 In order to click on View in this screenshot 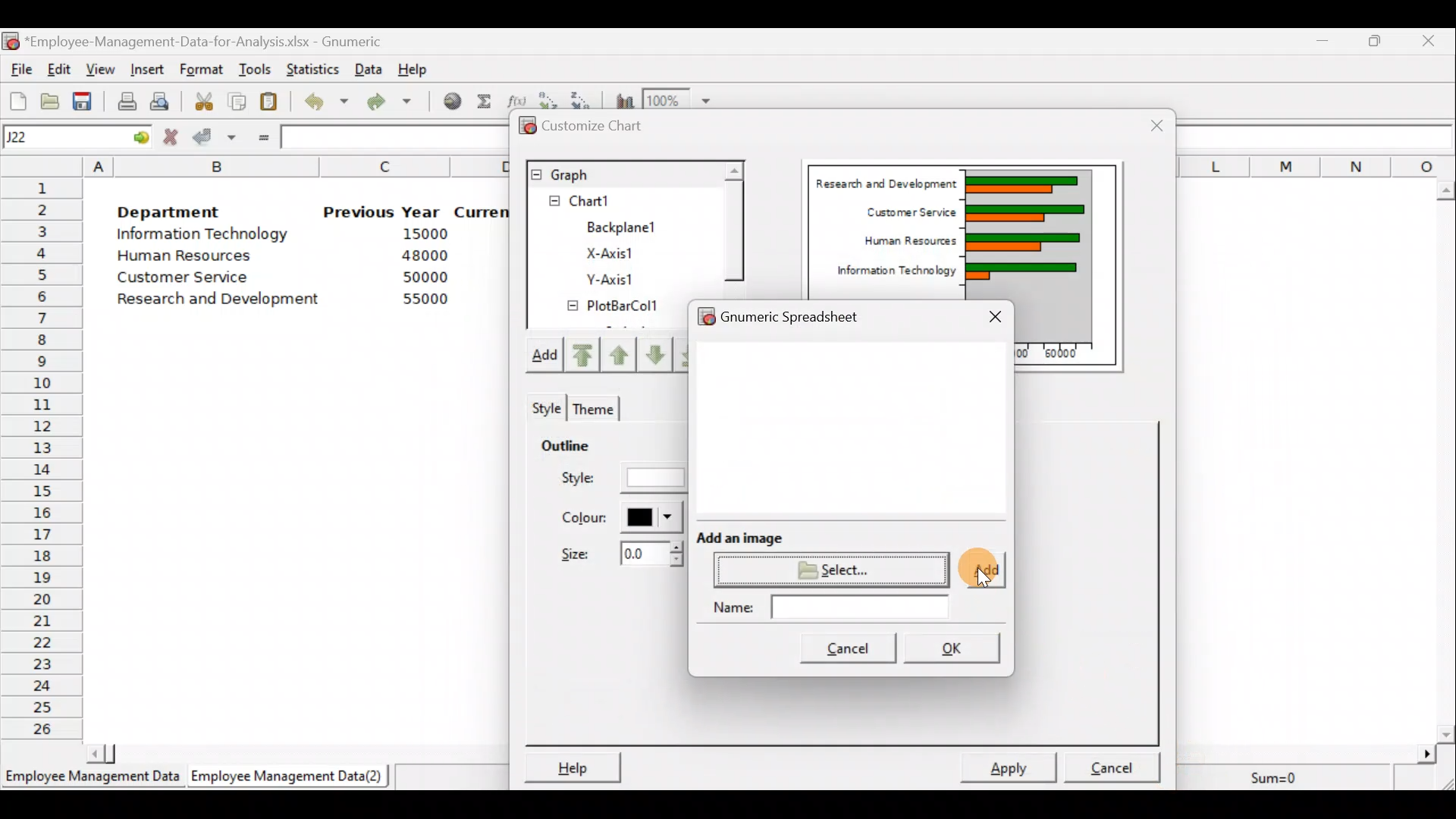, I will do `click(101, 68)`.